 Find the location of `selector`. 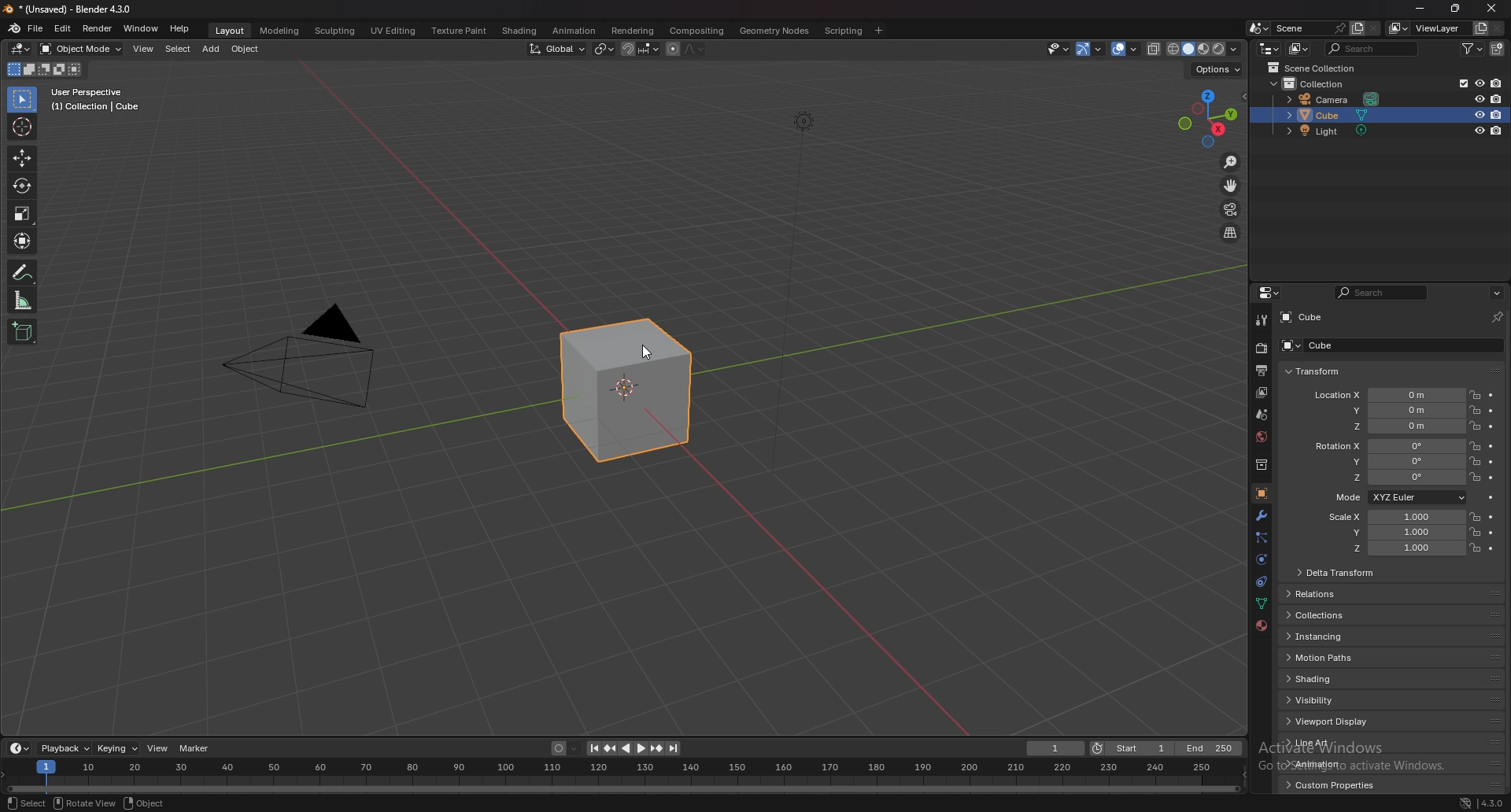

selector is located at coordinates (23, 99).